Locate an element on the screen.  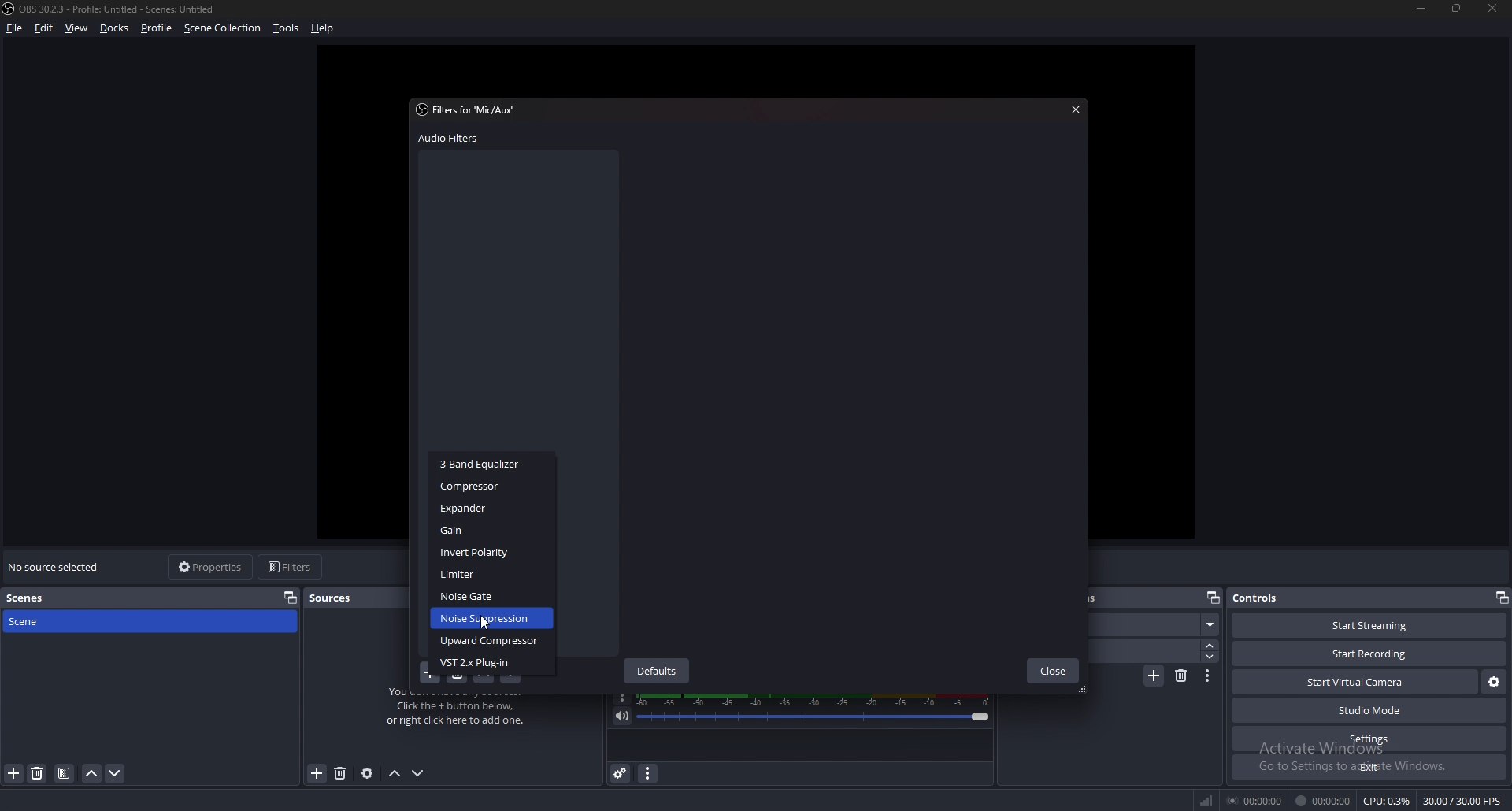
help is located at coordinates (325, 28).